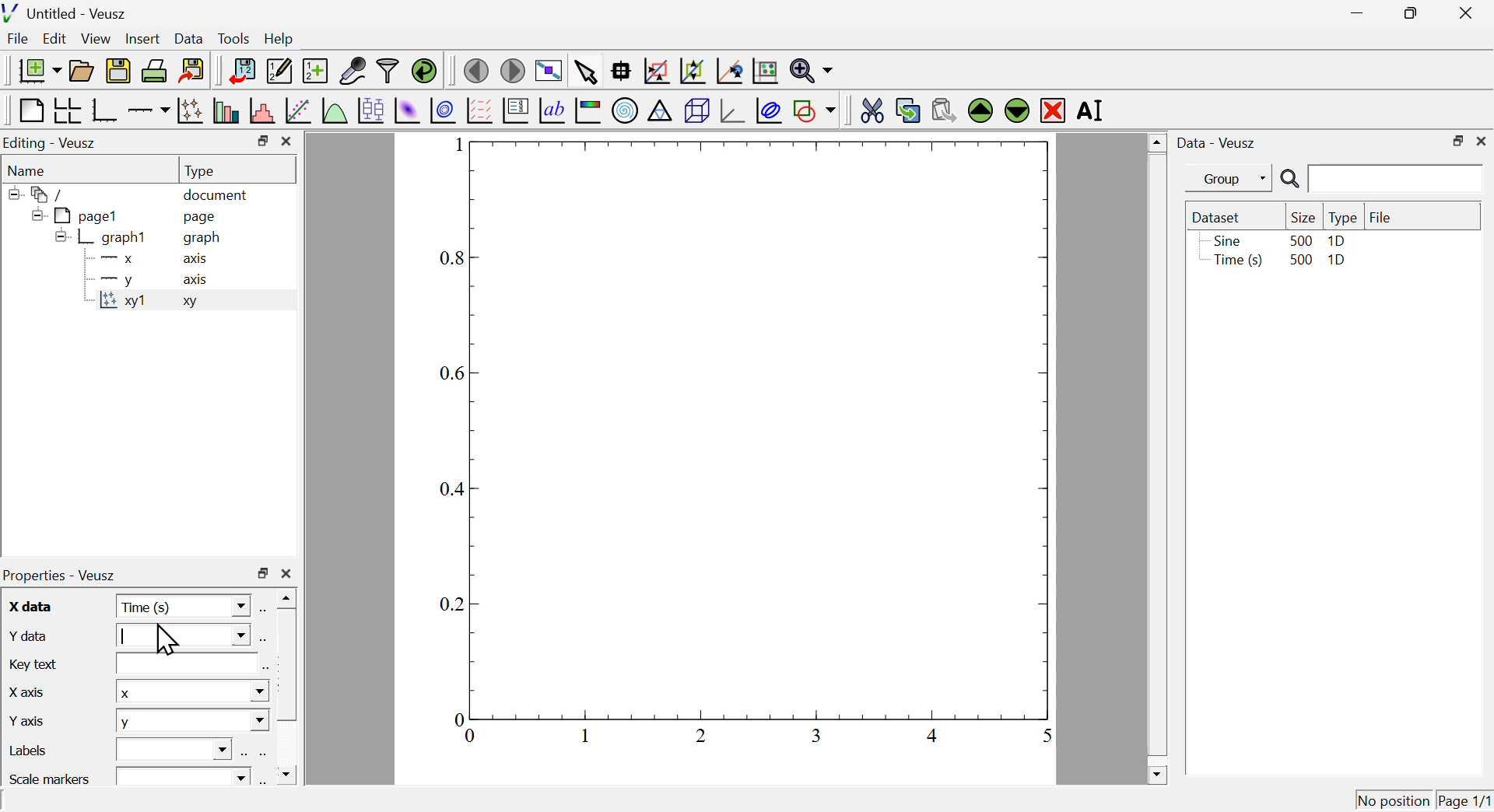  I want to click on close, so click(286, 574).